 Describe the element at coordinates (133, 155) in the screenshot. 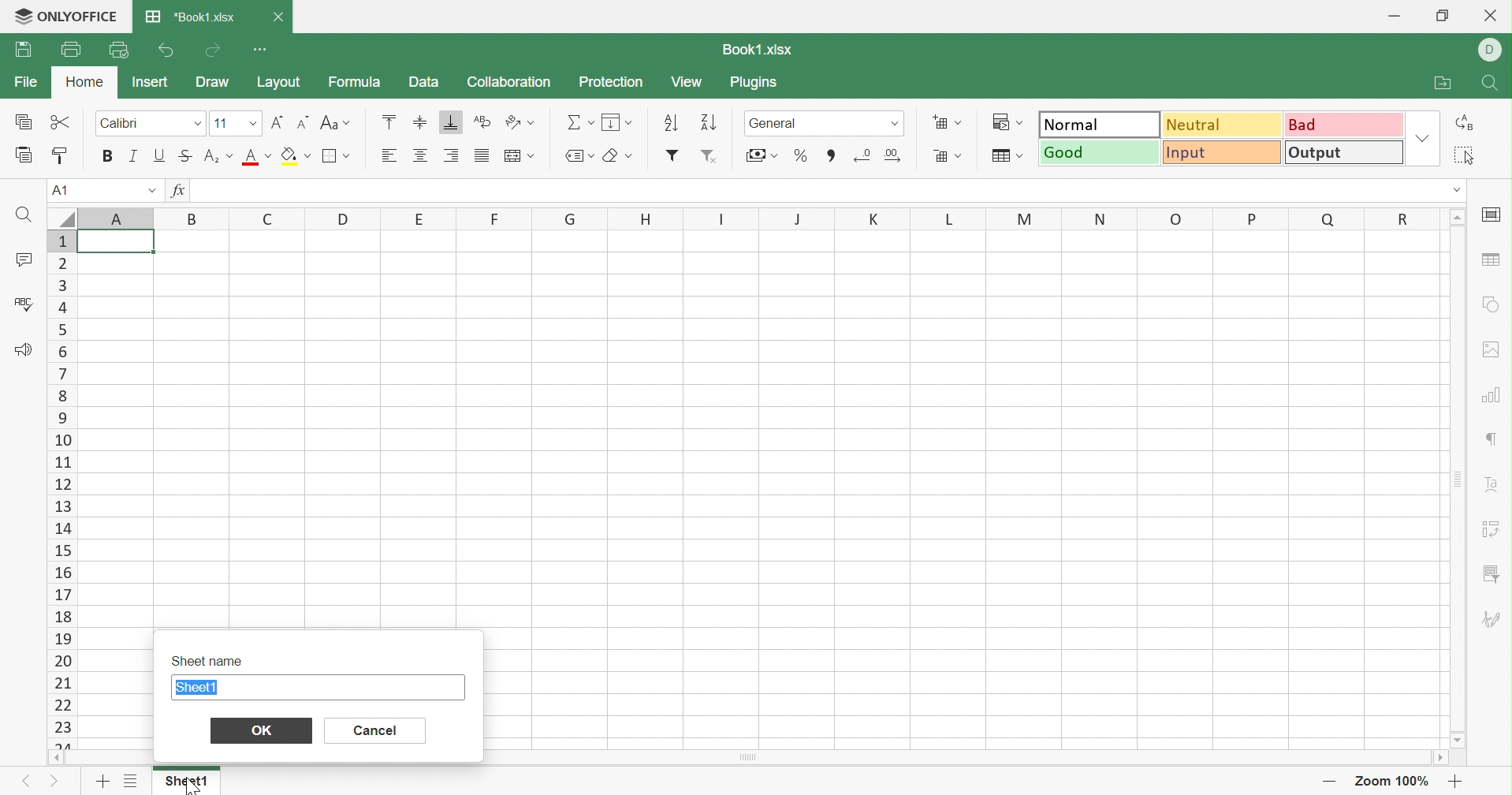

I see `Italic` at that location.